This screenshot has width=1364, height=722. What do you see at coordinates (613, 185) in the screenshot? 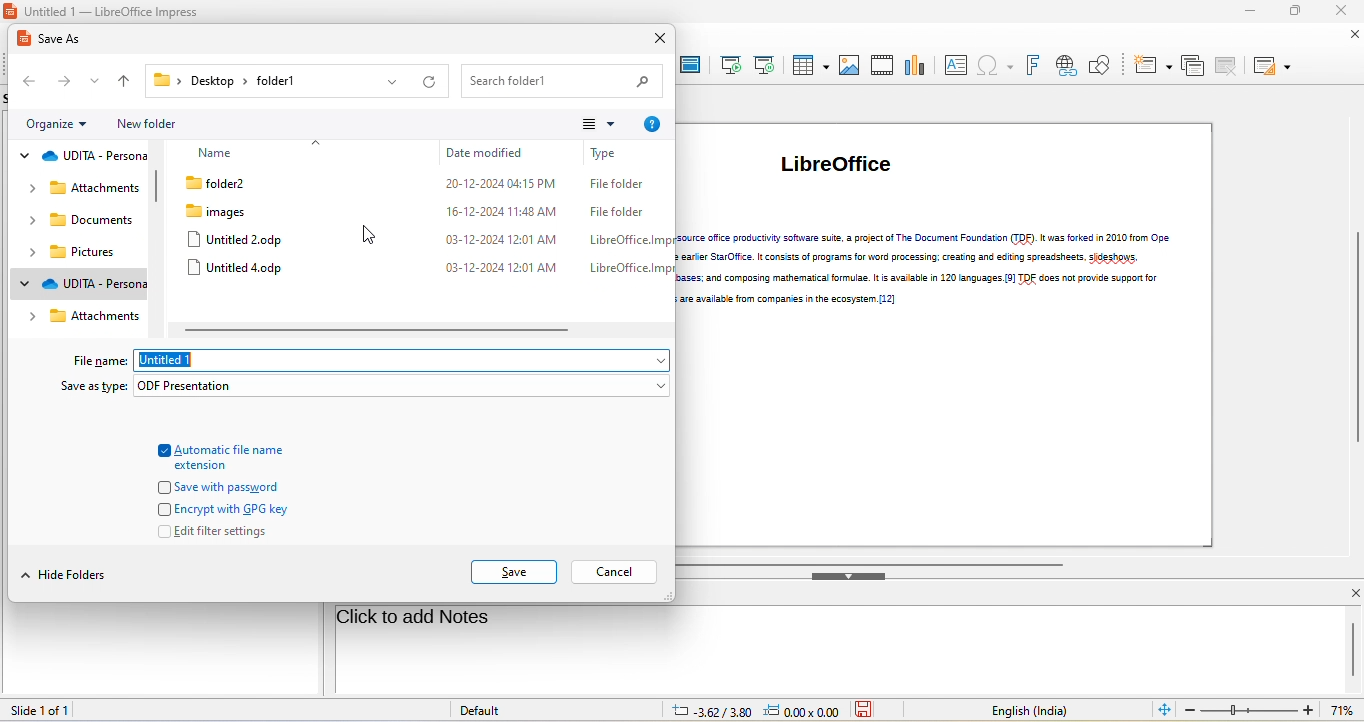
I see `File folder` at bounding box center [613, 185].